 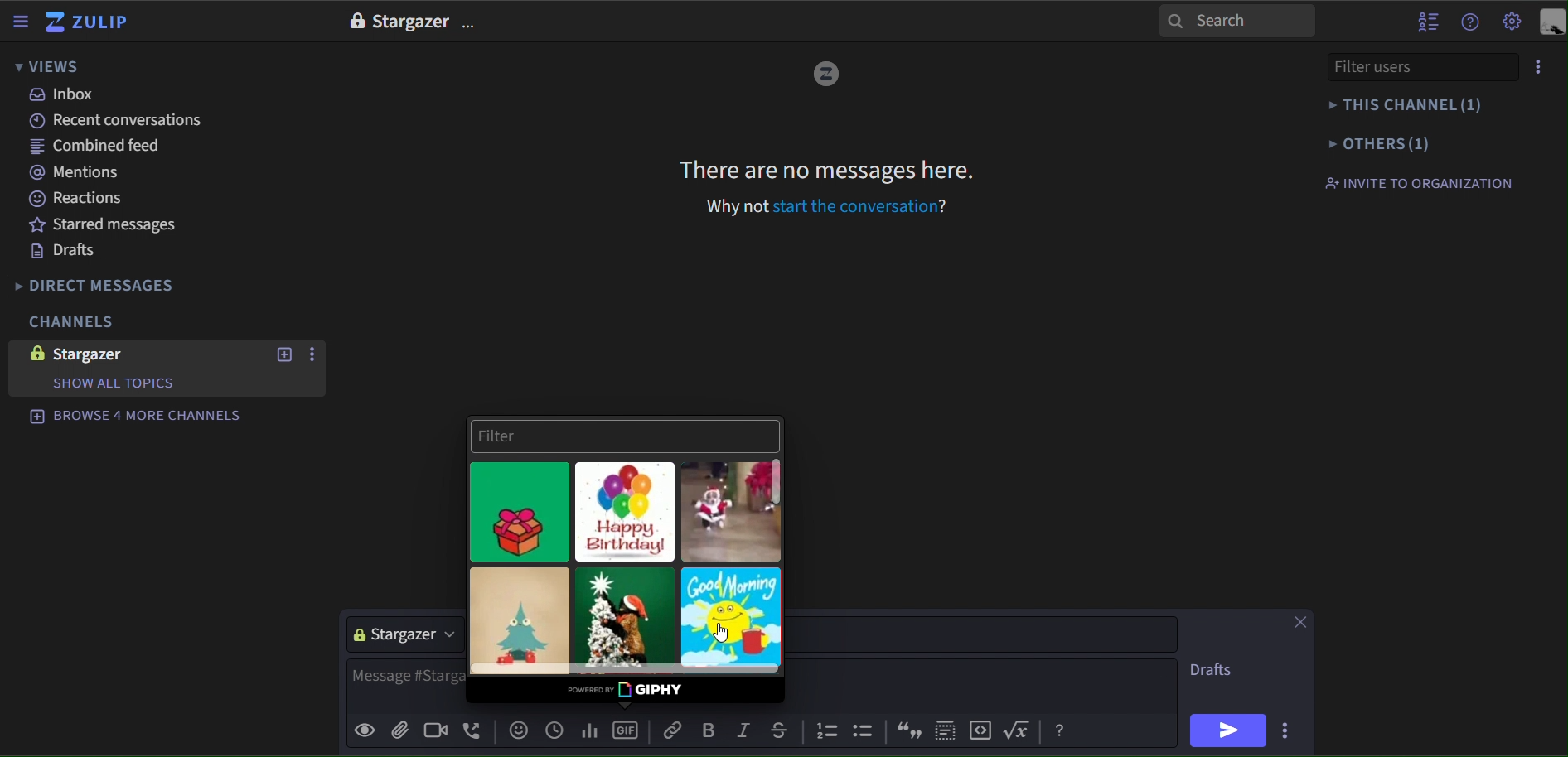 What do you see at coordinates (355, 21) in the screenshot?
I see `image` at bounding box center [355, 21].